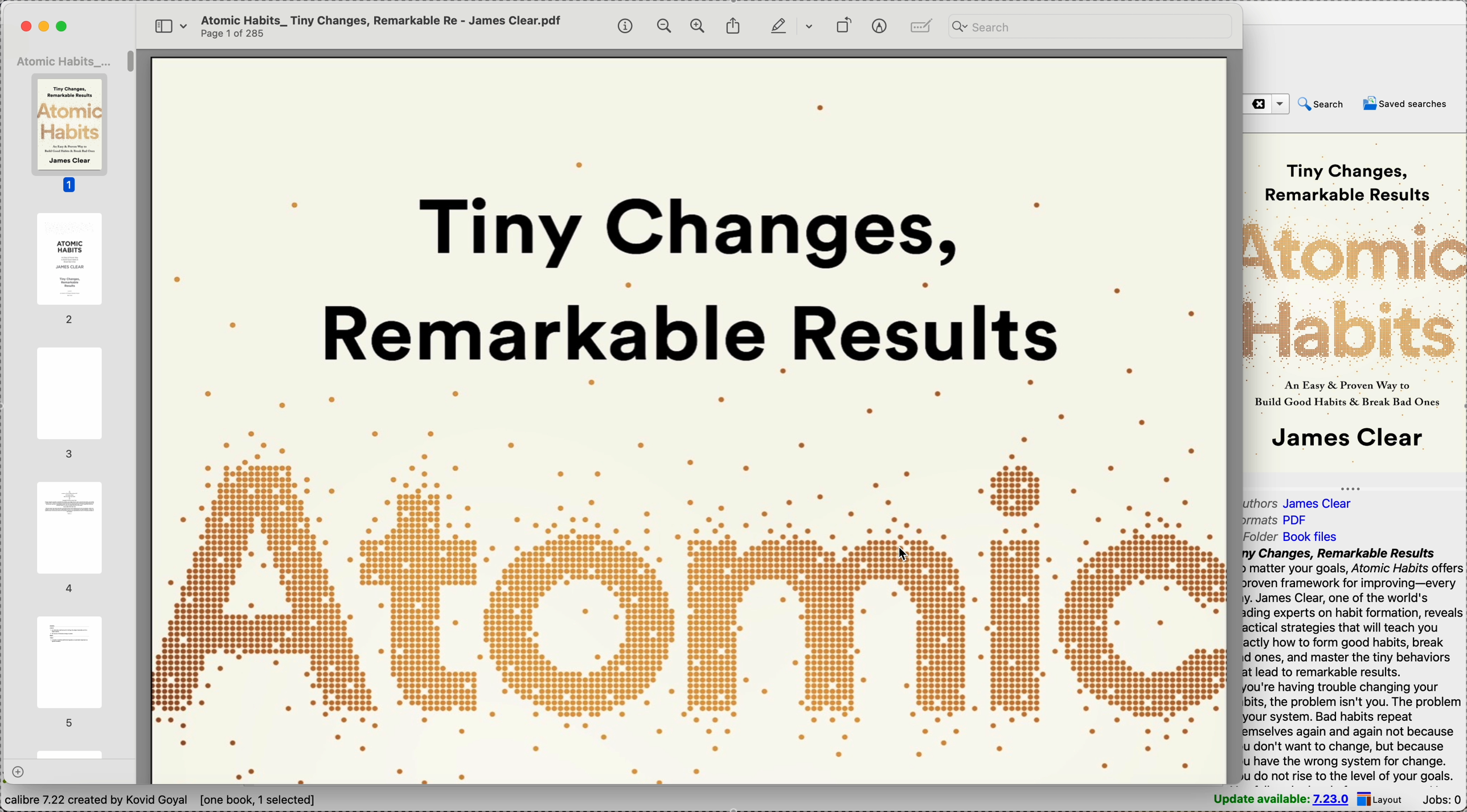  Describe the element at coordinates (233, 32) in the screenshot. I see `page 1 of 285` at that location.